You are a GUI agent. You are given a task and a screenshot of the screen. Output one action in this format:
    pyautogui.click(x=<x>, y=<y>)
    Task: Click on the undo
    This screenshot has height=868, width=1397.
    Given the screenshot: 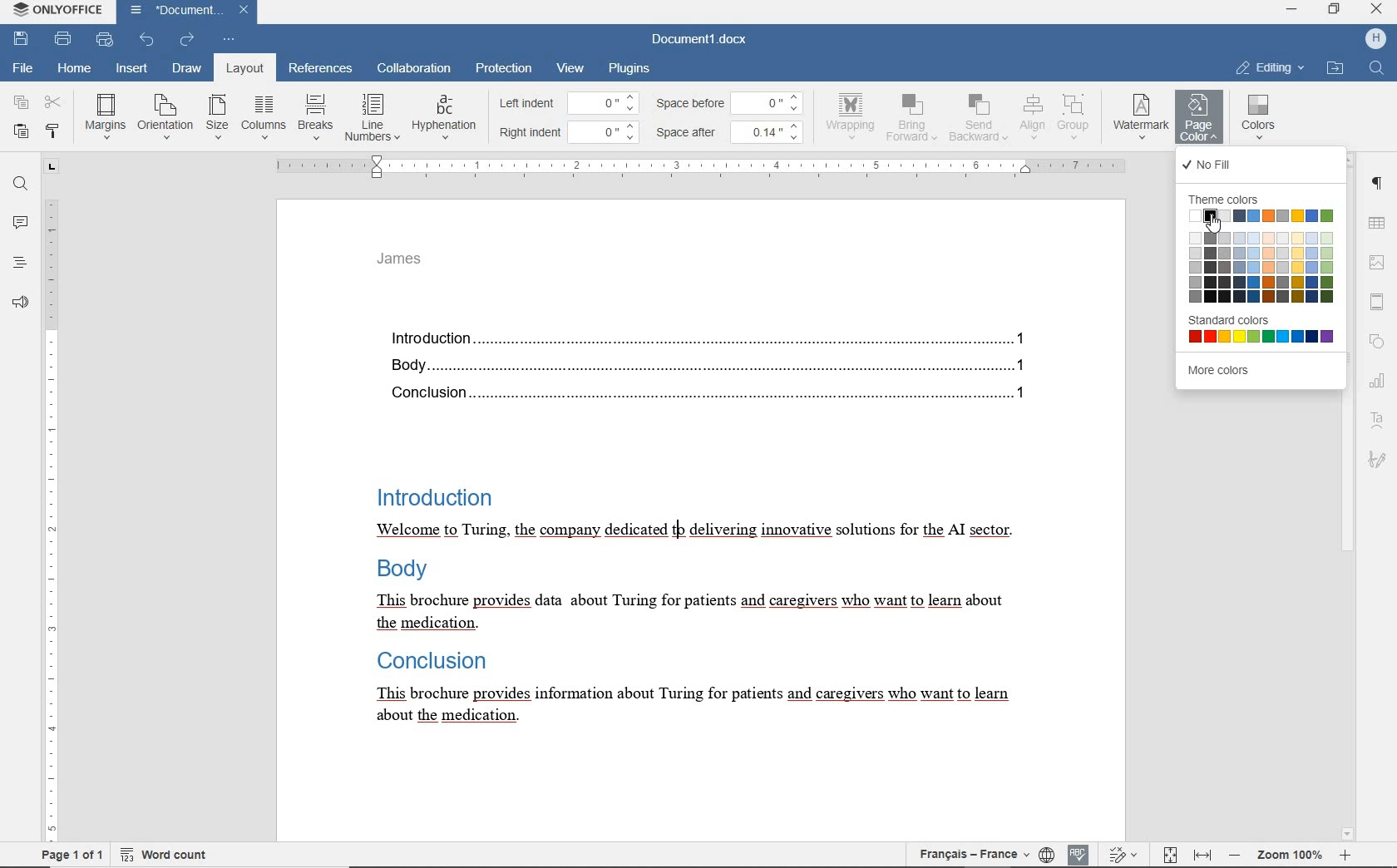 What is the action you would take?
    pyautogui.click(x=147, y=40)
    